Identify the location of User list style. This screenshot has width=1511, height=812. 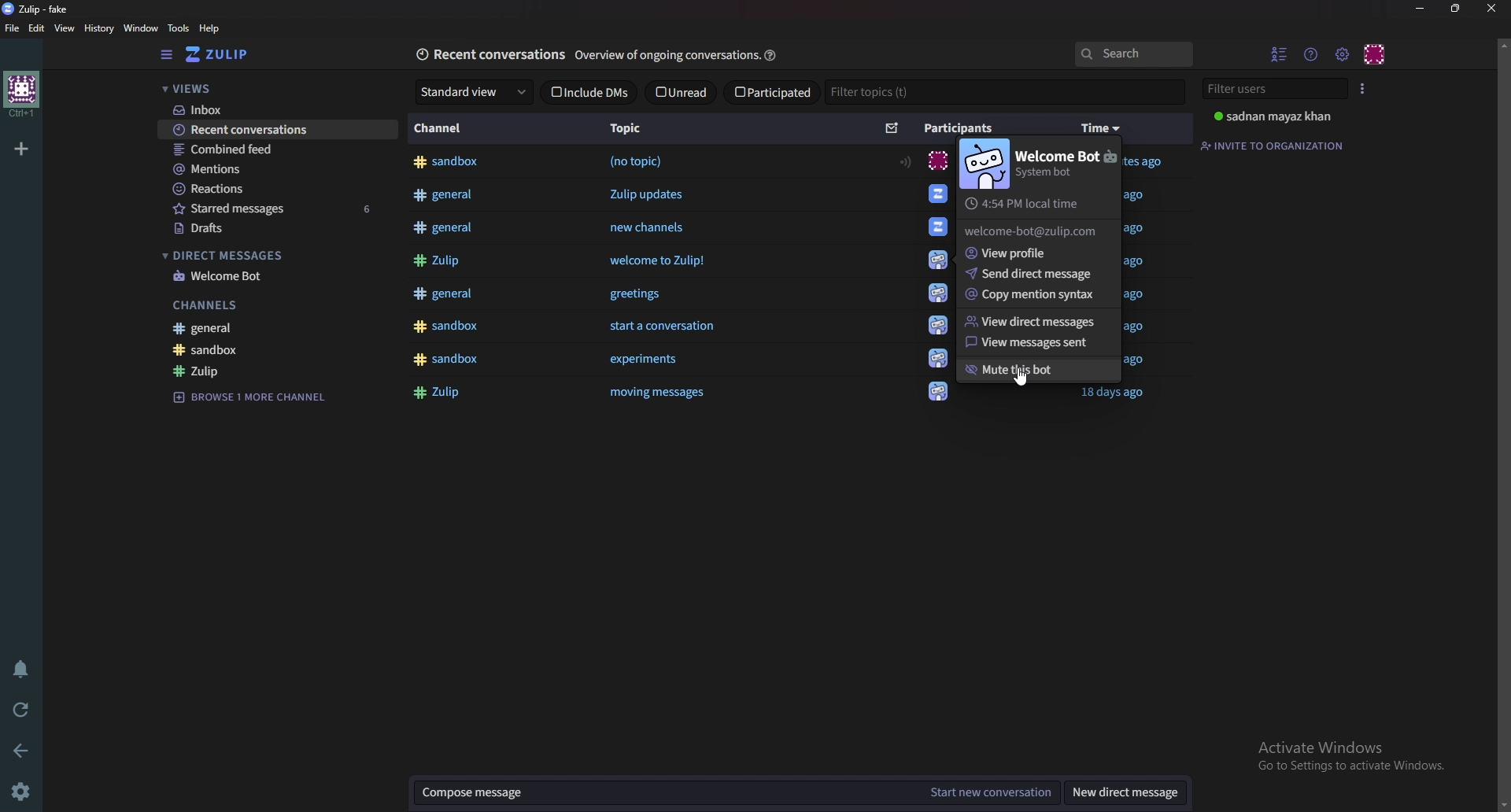
(1365, 88).